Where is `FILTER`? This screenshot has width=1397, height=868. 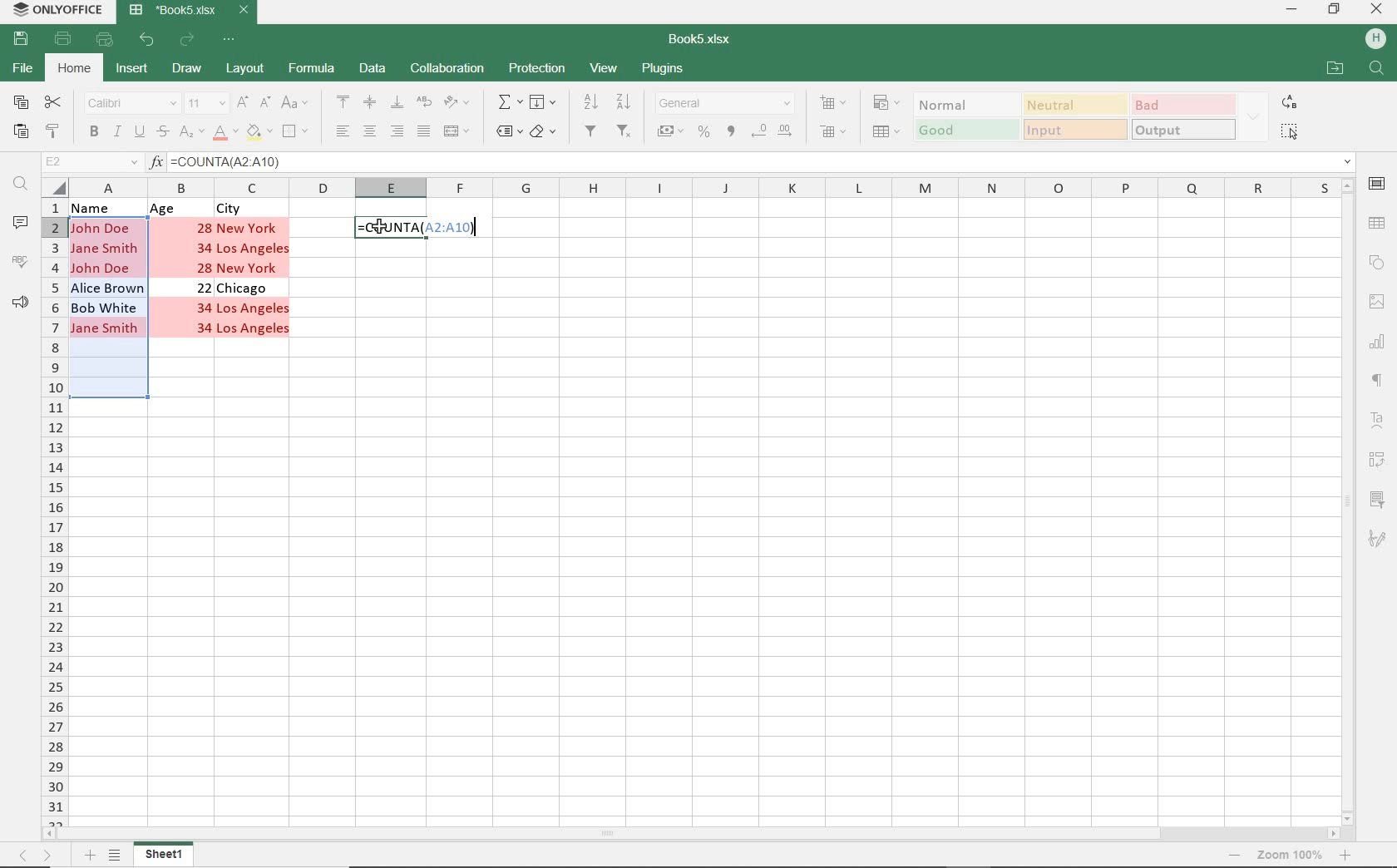
FILTER is located at coordinates (591, 132).